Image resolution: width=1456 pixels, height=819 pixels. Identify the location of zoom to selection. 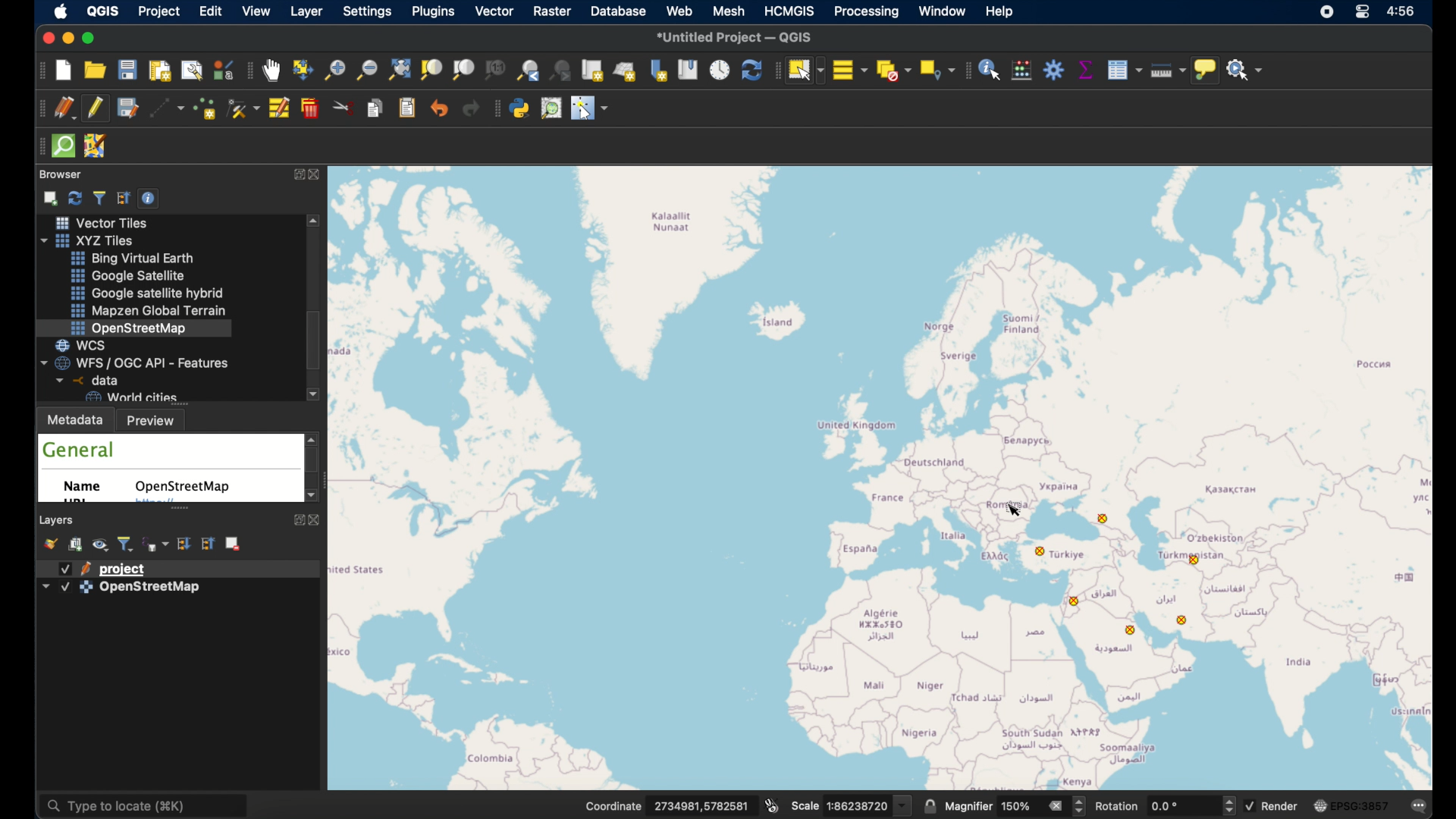
(435, 70).